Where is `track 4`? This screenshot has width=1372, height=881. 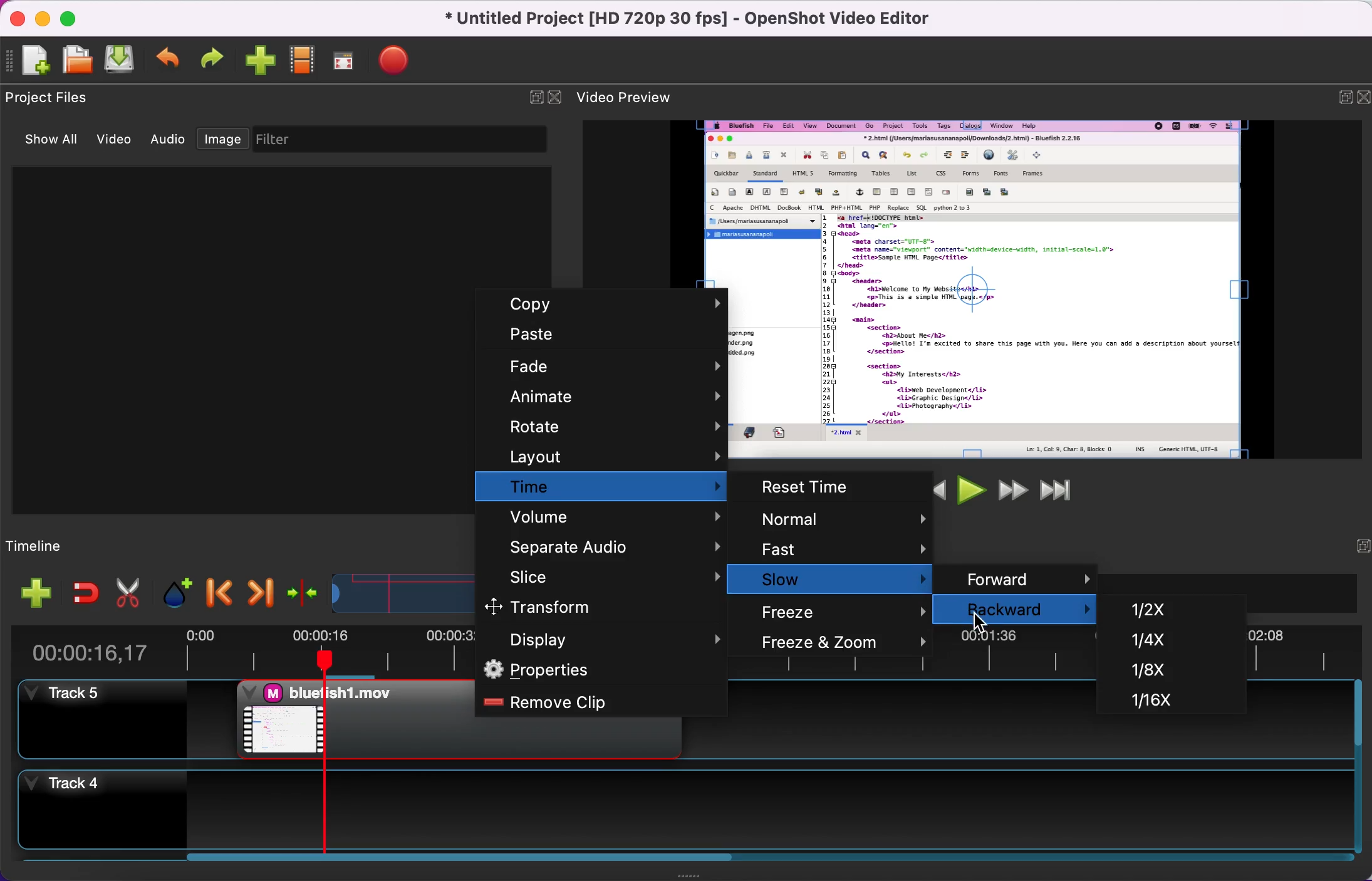
track 4 is located at coordinates (679, 806).